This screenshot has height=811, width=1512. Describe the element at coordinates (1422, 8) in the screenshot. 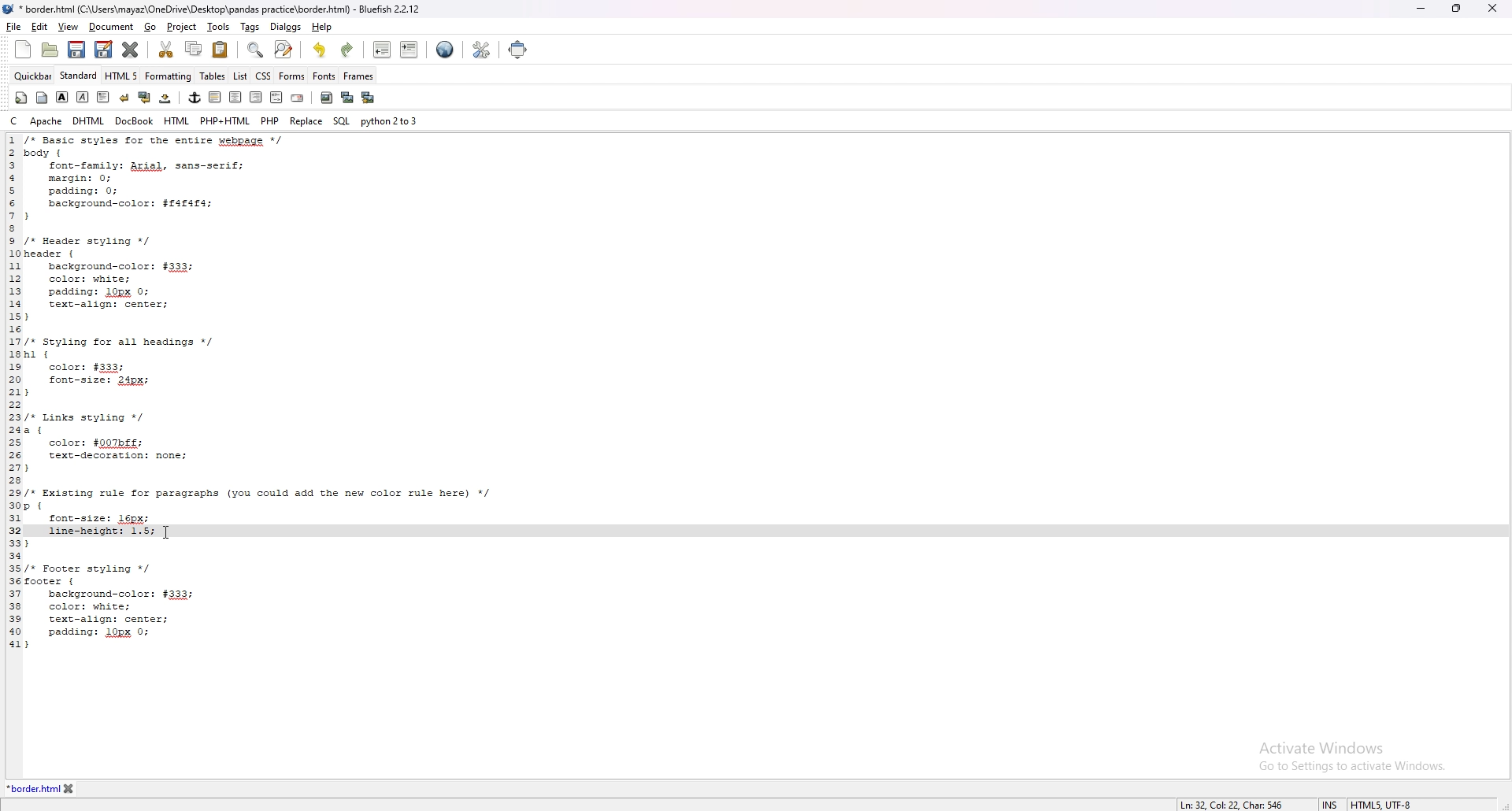

I see `minimize` at that location.